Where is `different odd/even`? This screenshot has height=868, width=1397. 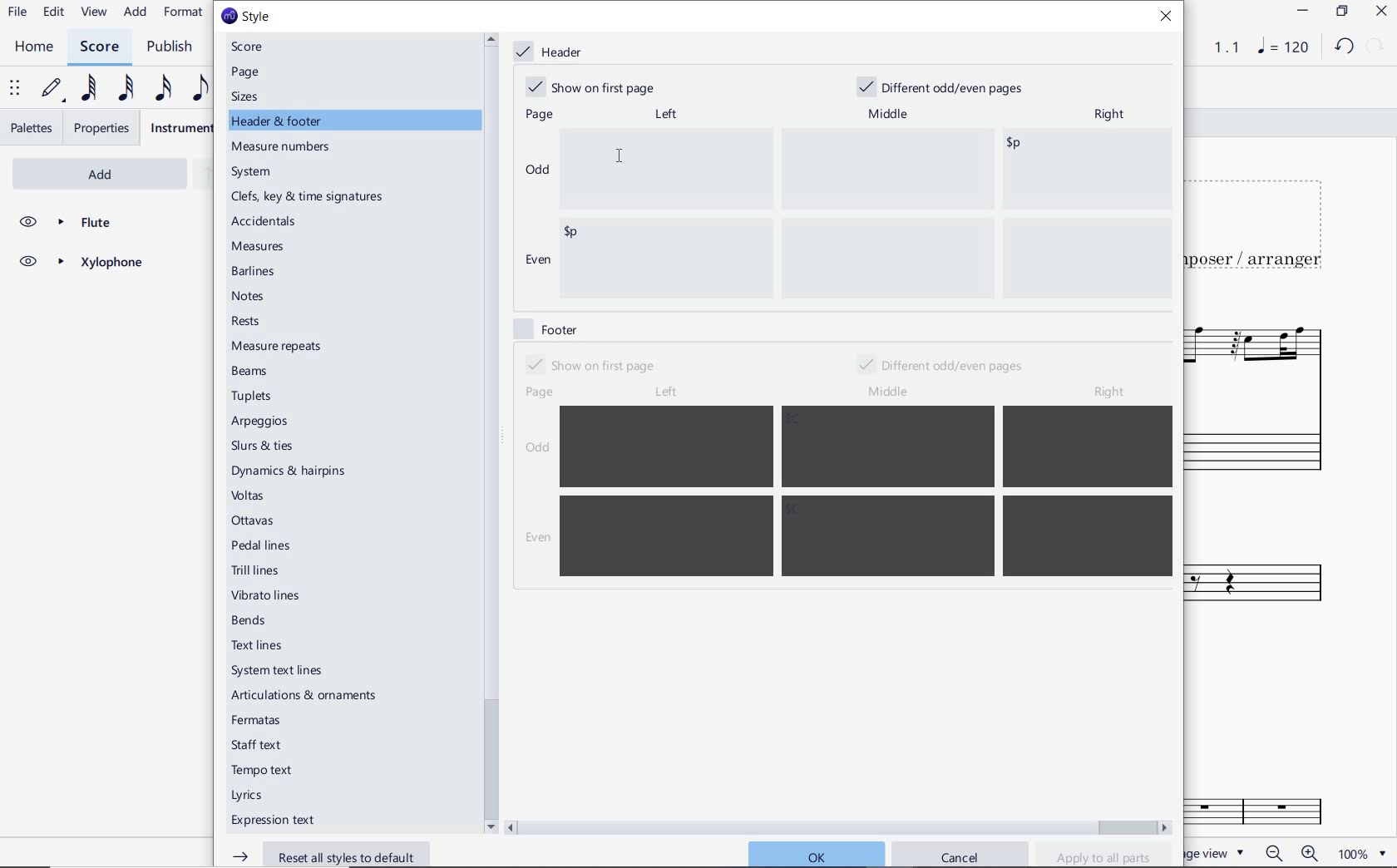 different odd/even is located at coordinates (942, 367).